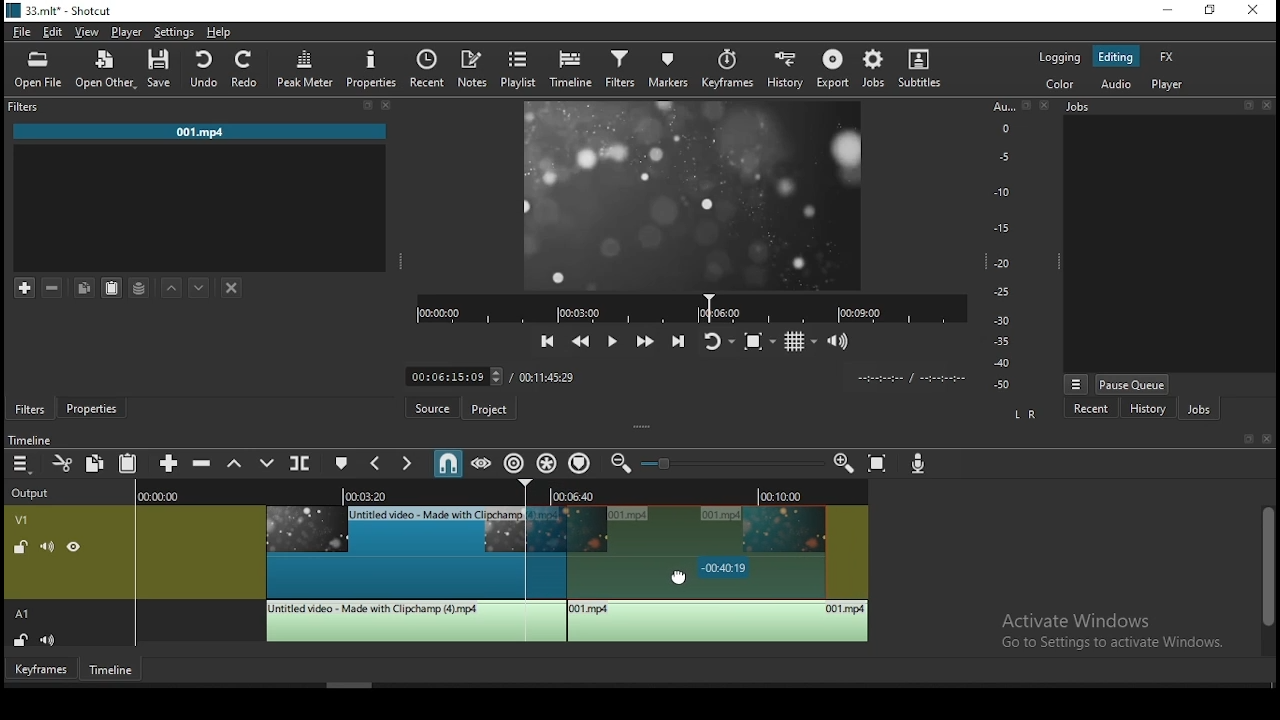  Describe the element at coordinates (835, 69) in the screenshot. I see `export` at that location.